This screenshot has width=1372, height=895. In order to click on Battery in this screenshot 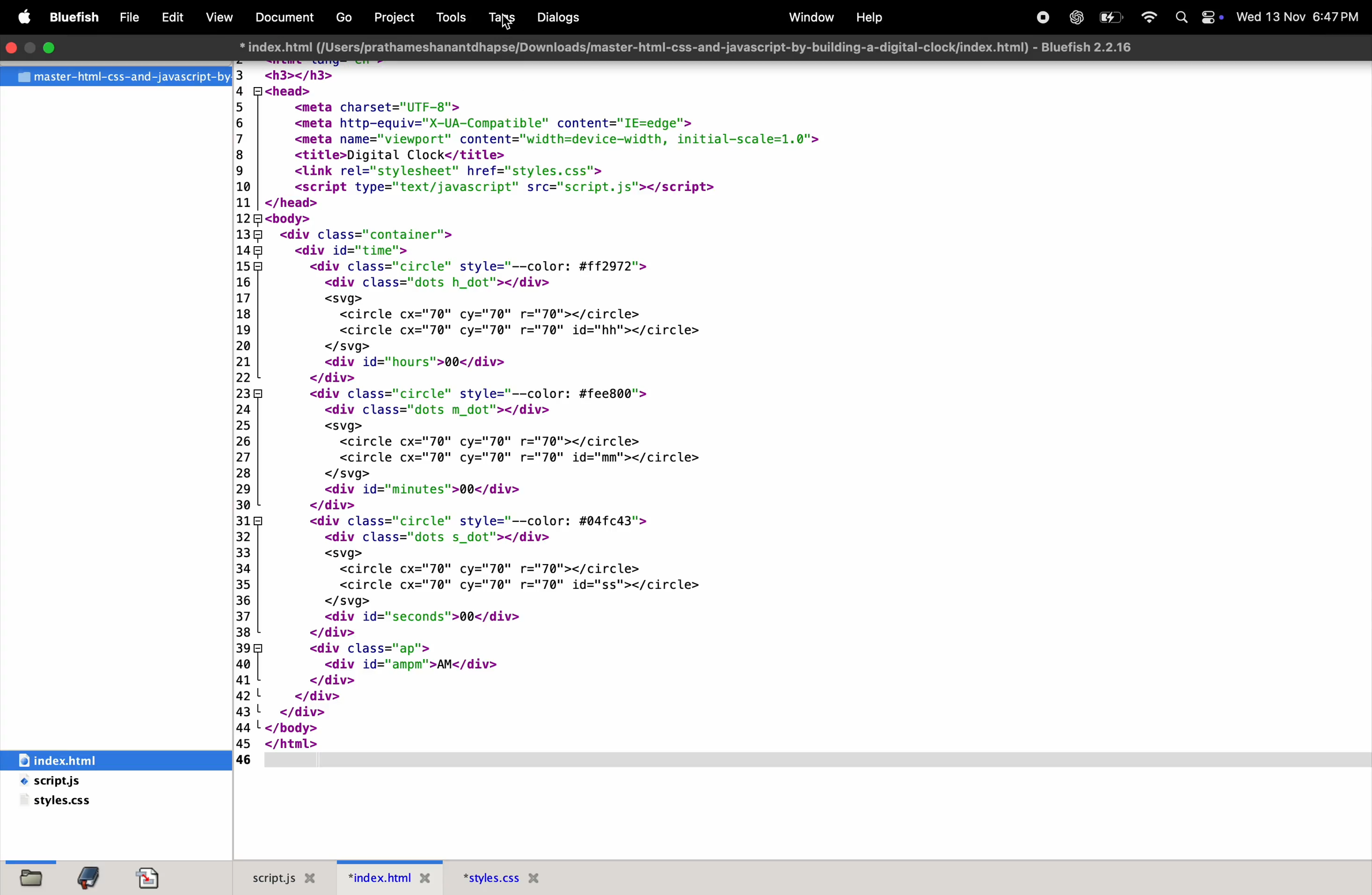, I will do `click(1113, 16)`.